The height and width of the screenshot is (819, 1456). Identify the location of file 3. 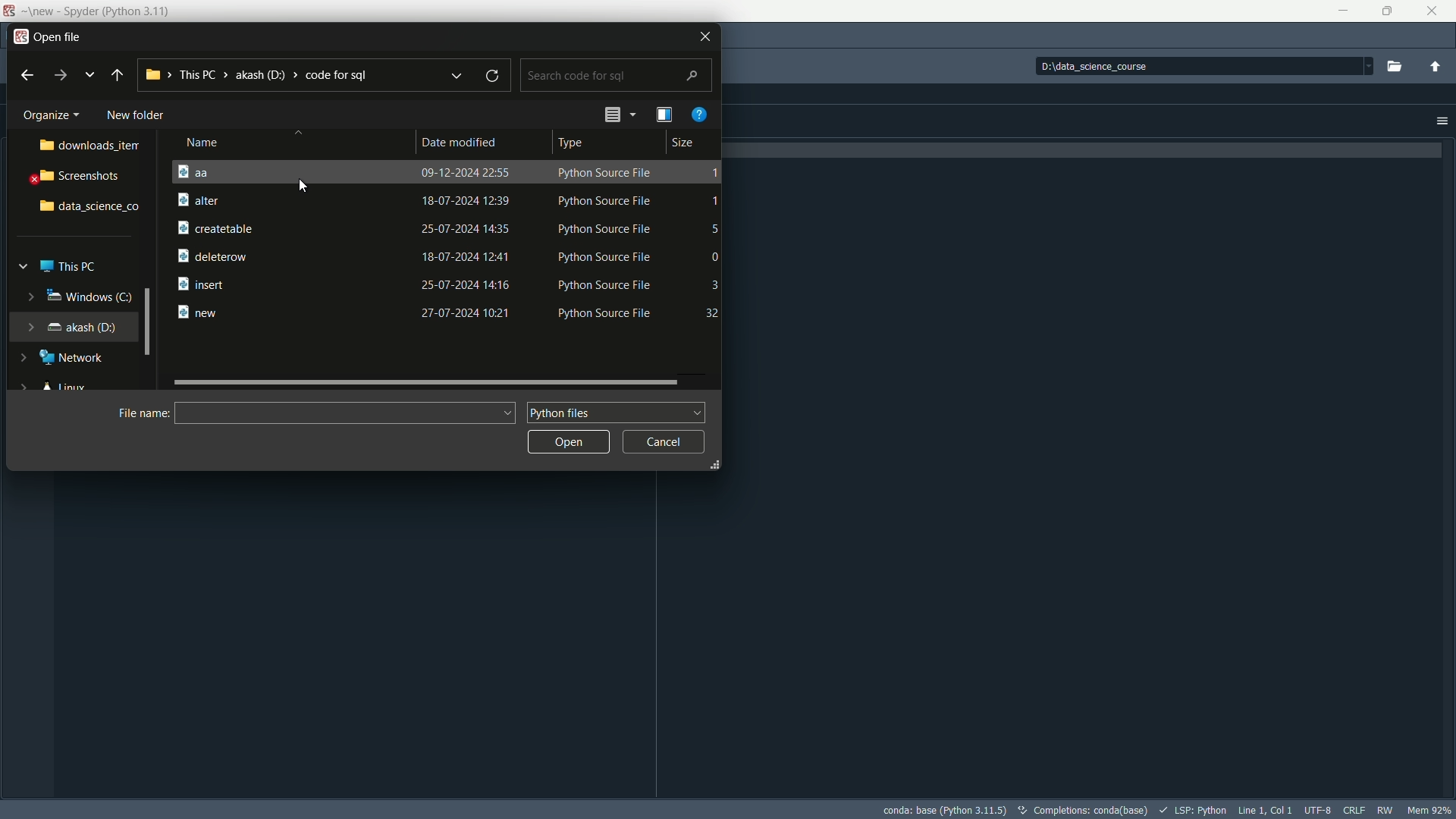
(447, 228).